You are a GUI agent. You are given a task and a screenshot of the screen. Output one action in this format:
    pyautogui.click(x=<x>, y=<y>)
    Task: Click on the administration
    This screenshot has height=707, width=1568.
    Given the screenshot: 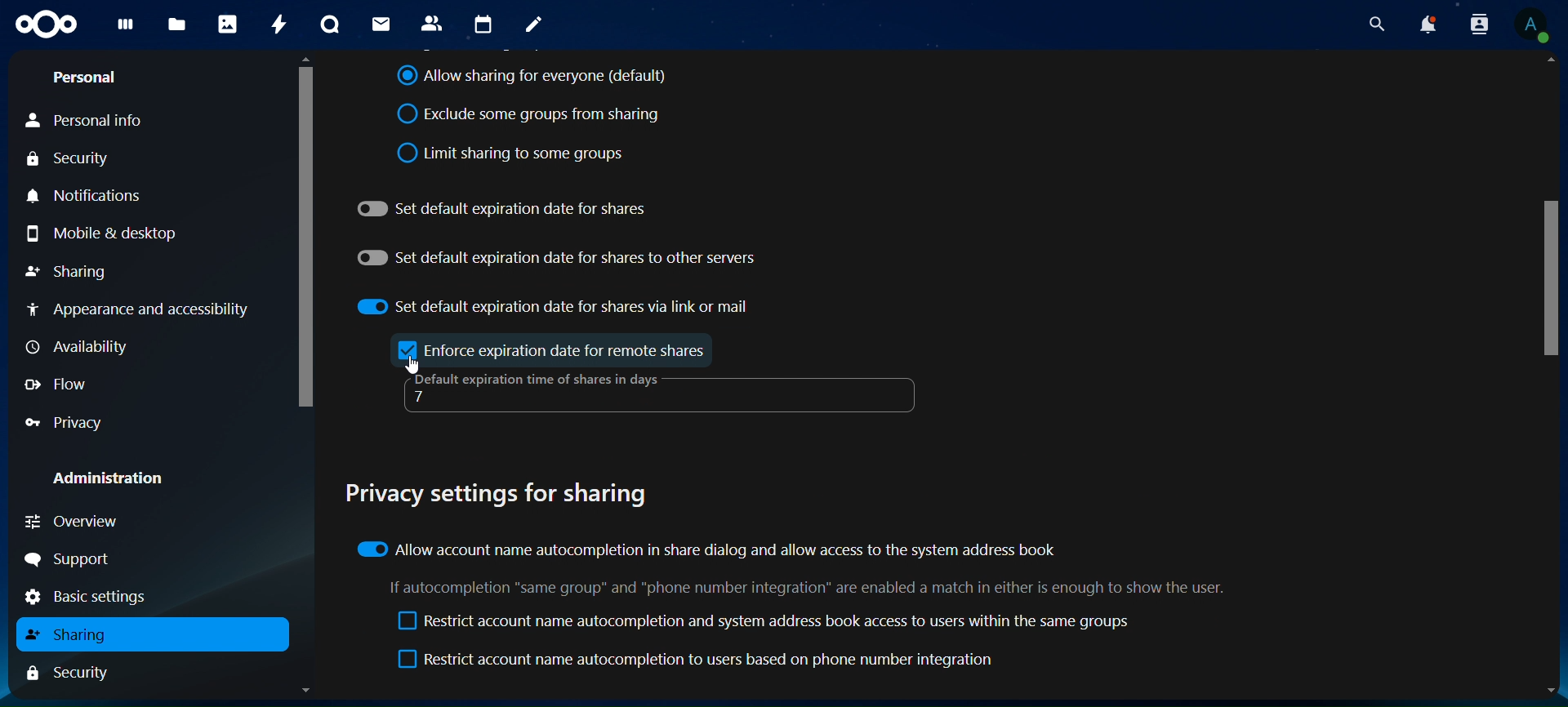 What is the action you would take?
    pyautogui.click(x=106, y=474)
    